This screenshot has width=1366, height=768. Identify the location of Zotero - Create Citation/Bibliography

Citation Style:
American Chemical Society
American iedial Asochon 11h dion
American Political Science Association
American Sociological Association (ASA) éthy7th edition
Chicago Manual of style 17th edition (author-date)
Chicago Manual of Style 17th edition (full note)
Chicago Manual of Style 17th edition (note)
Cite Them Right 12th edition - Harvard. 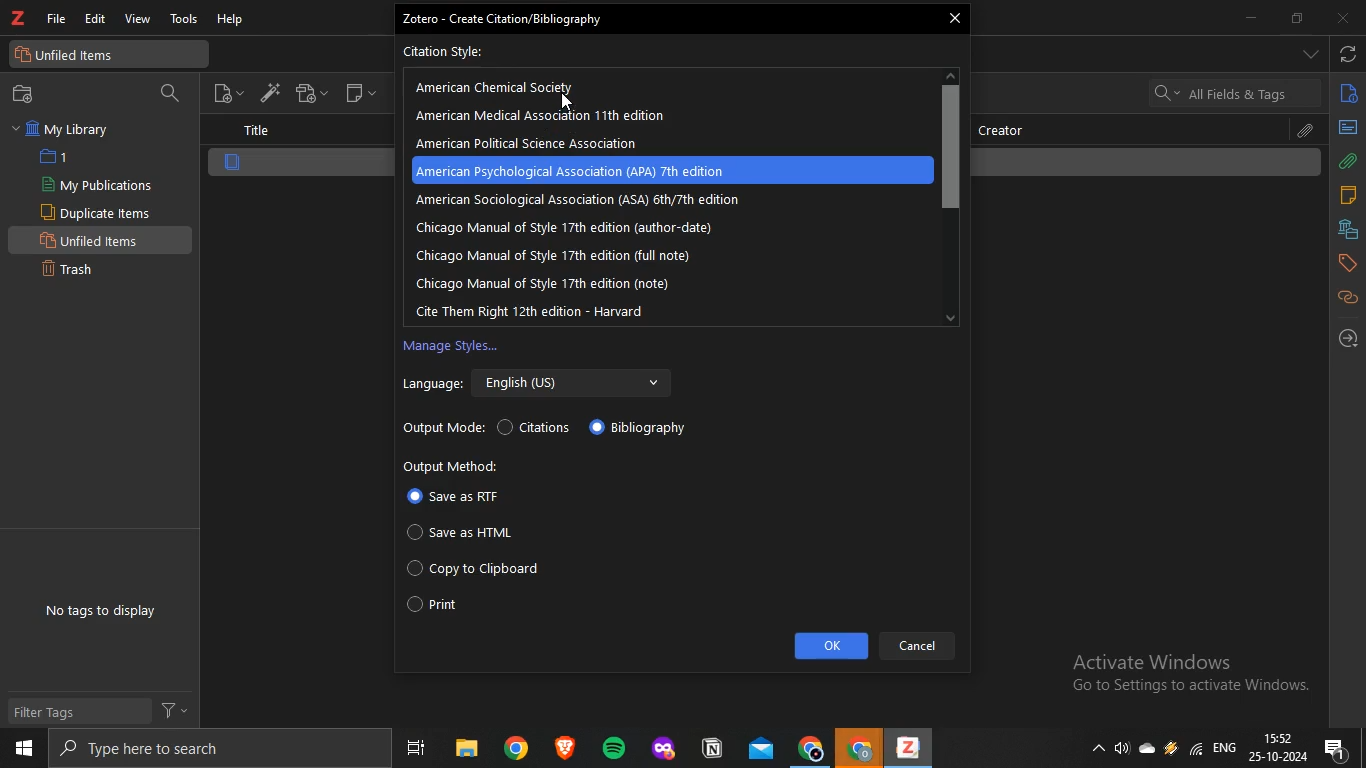
(667, 166).